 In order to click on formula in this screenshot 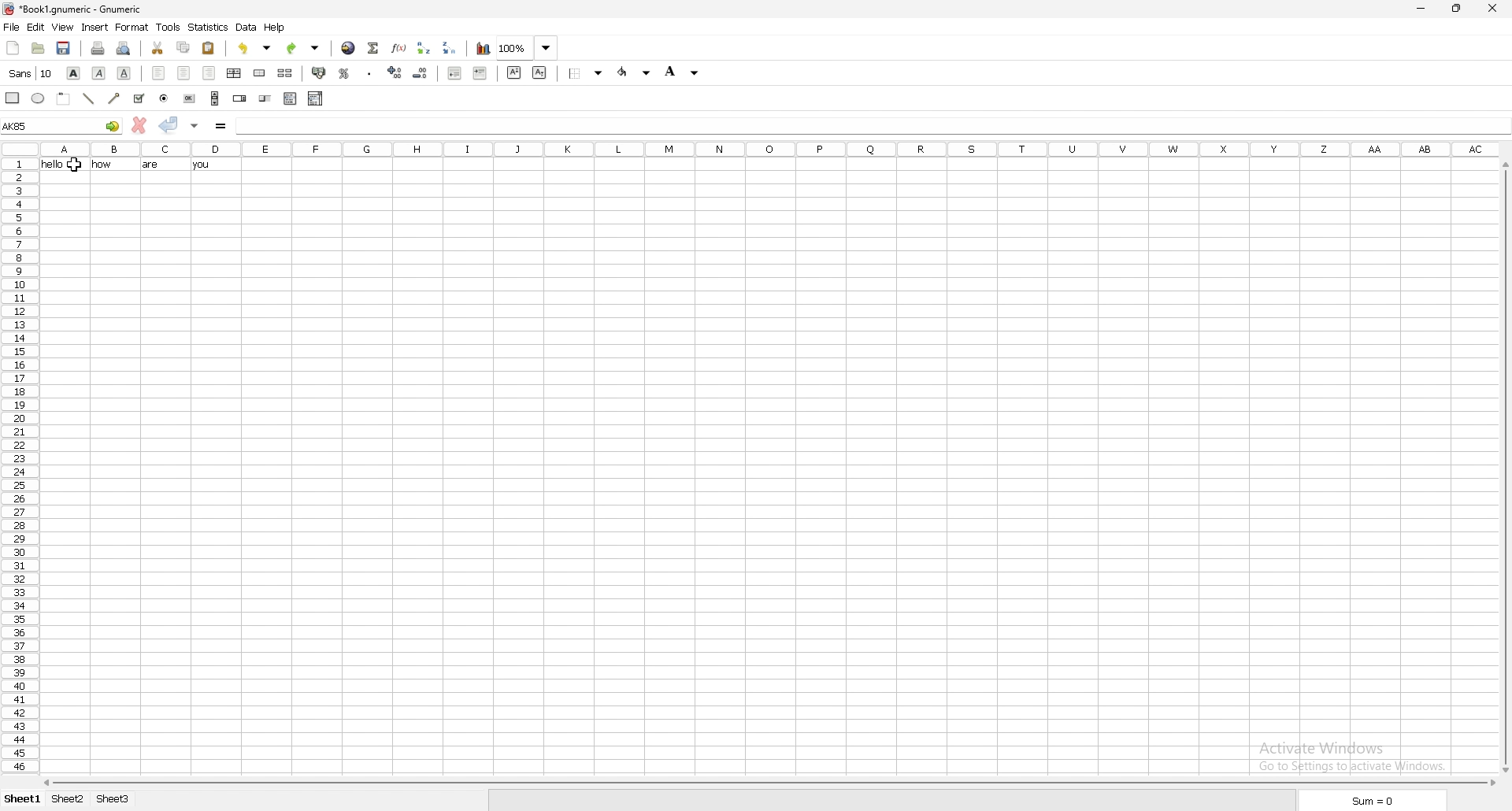, I will do `click(221, 125)`.